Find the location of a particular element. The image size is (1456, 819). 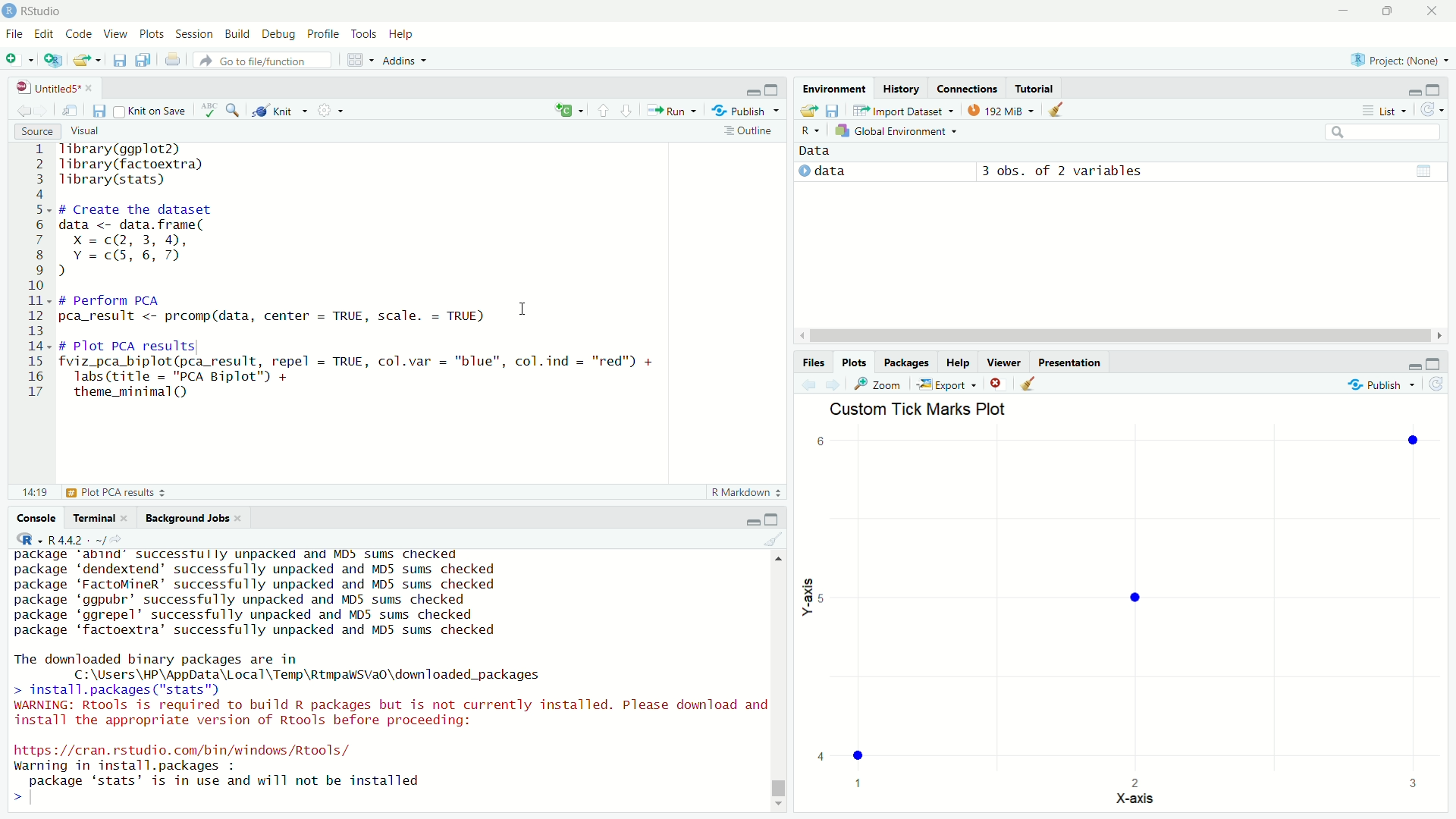

global environment is located at coordinates (899, 131).